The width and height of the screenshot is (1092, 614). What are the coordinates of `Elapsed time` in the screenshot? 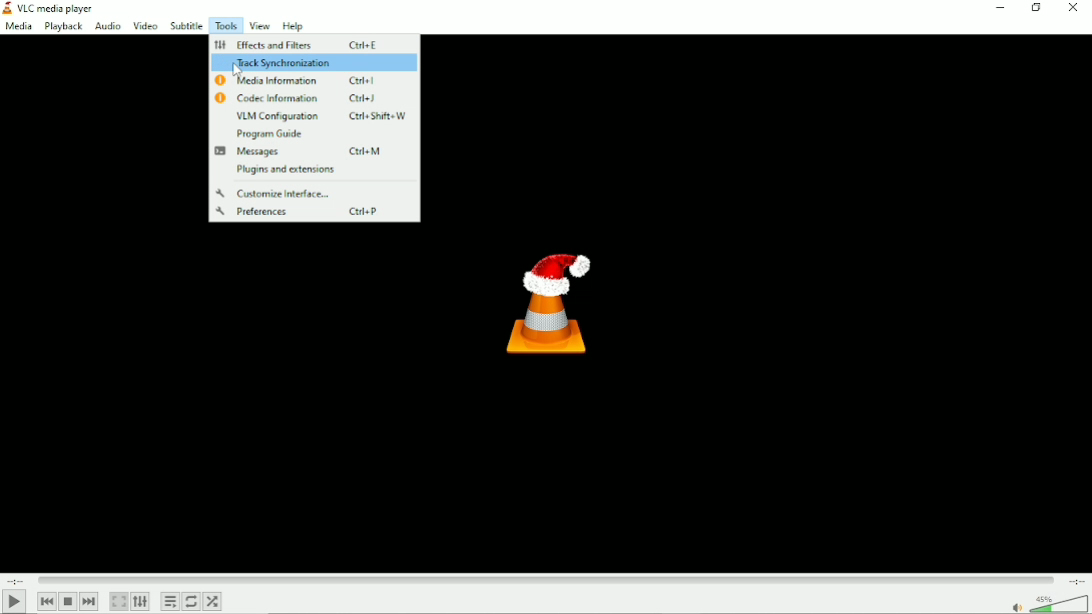 It's located at (14, 579).